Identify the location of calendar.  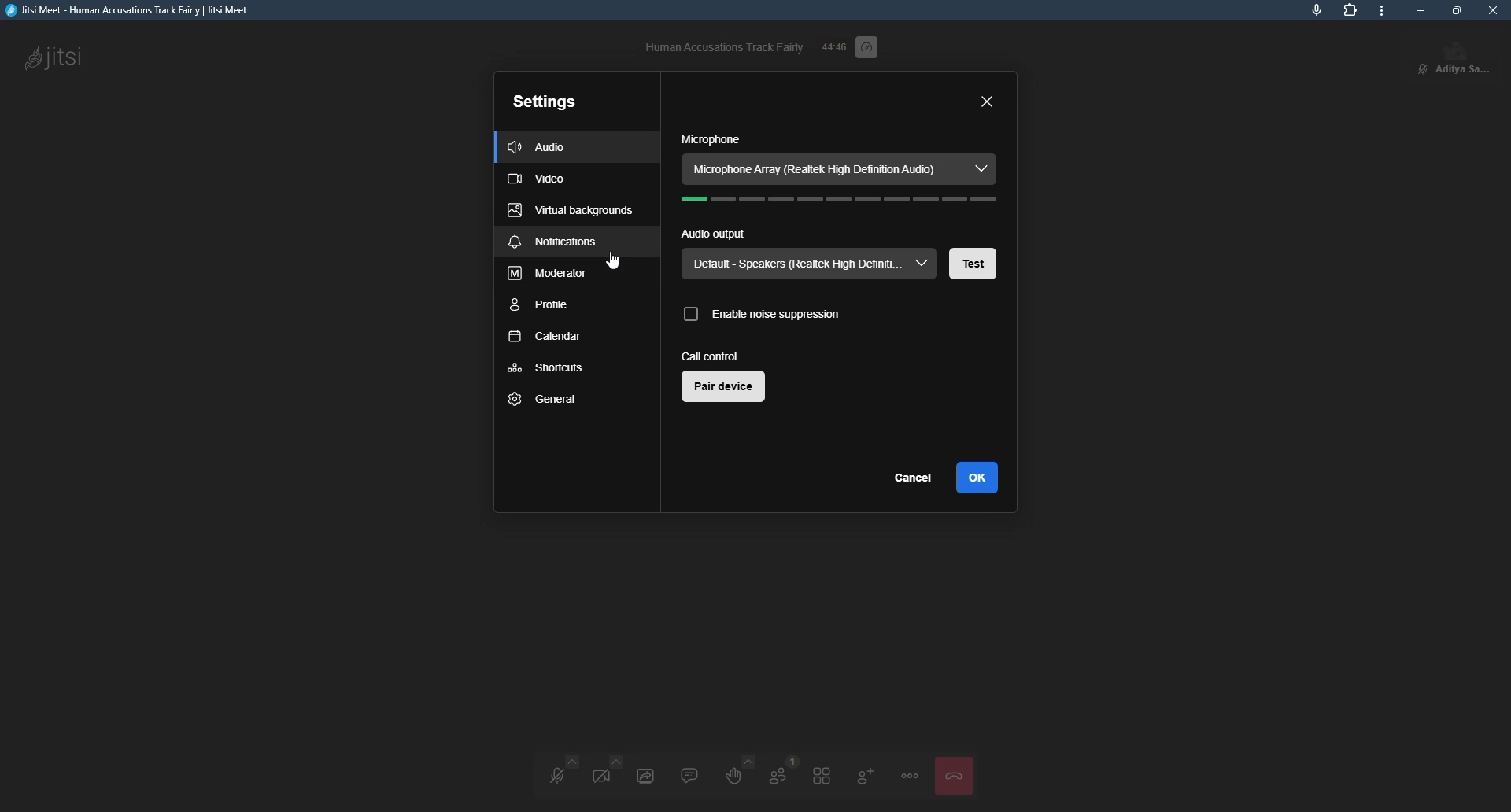
(544, 338).